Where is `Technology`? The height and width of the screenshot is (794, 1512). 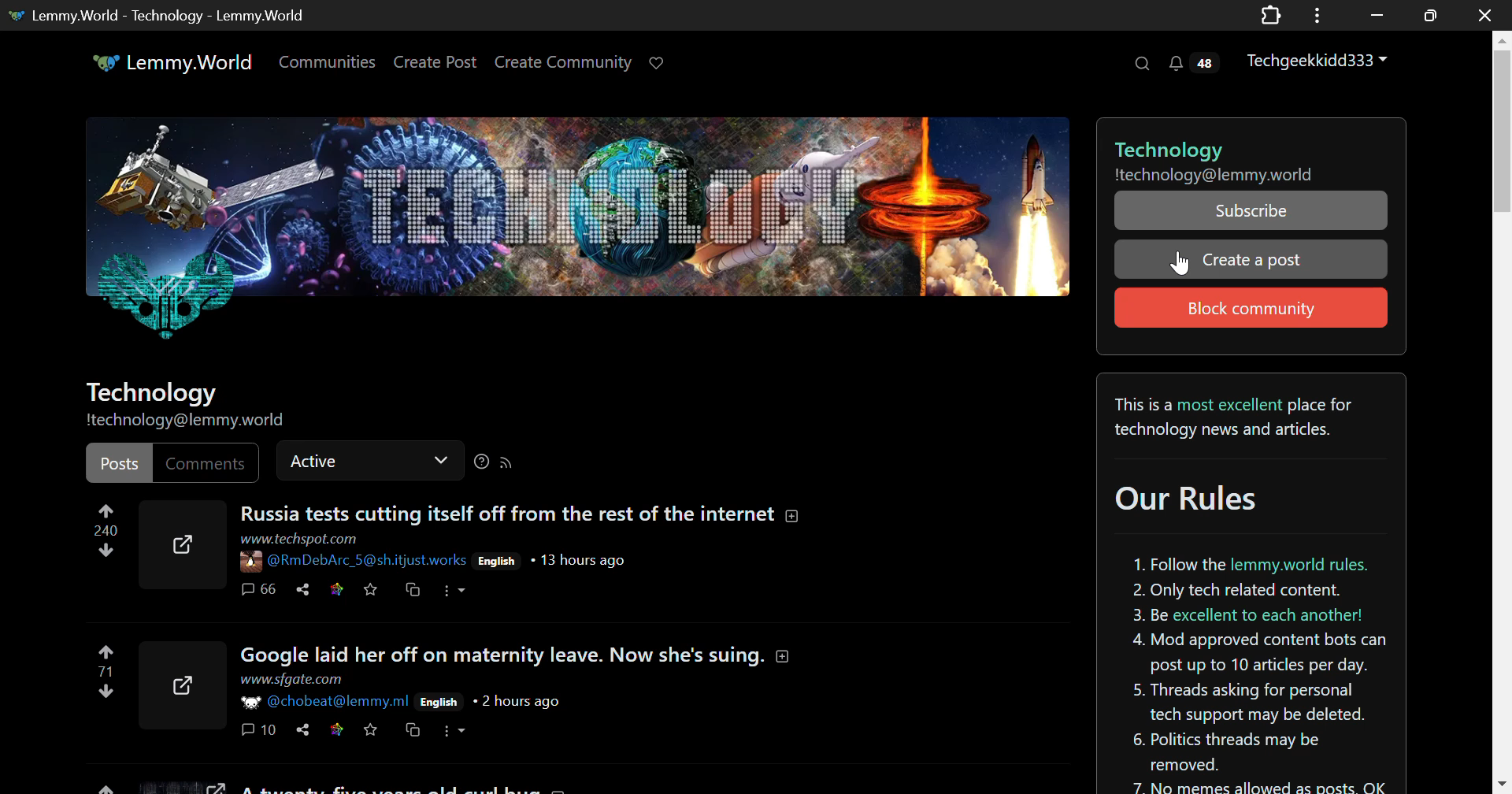
Technology is located at coordinates (1242, 141).